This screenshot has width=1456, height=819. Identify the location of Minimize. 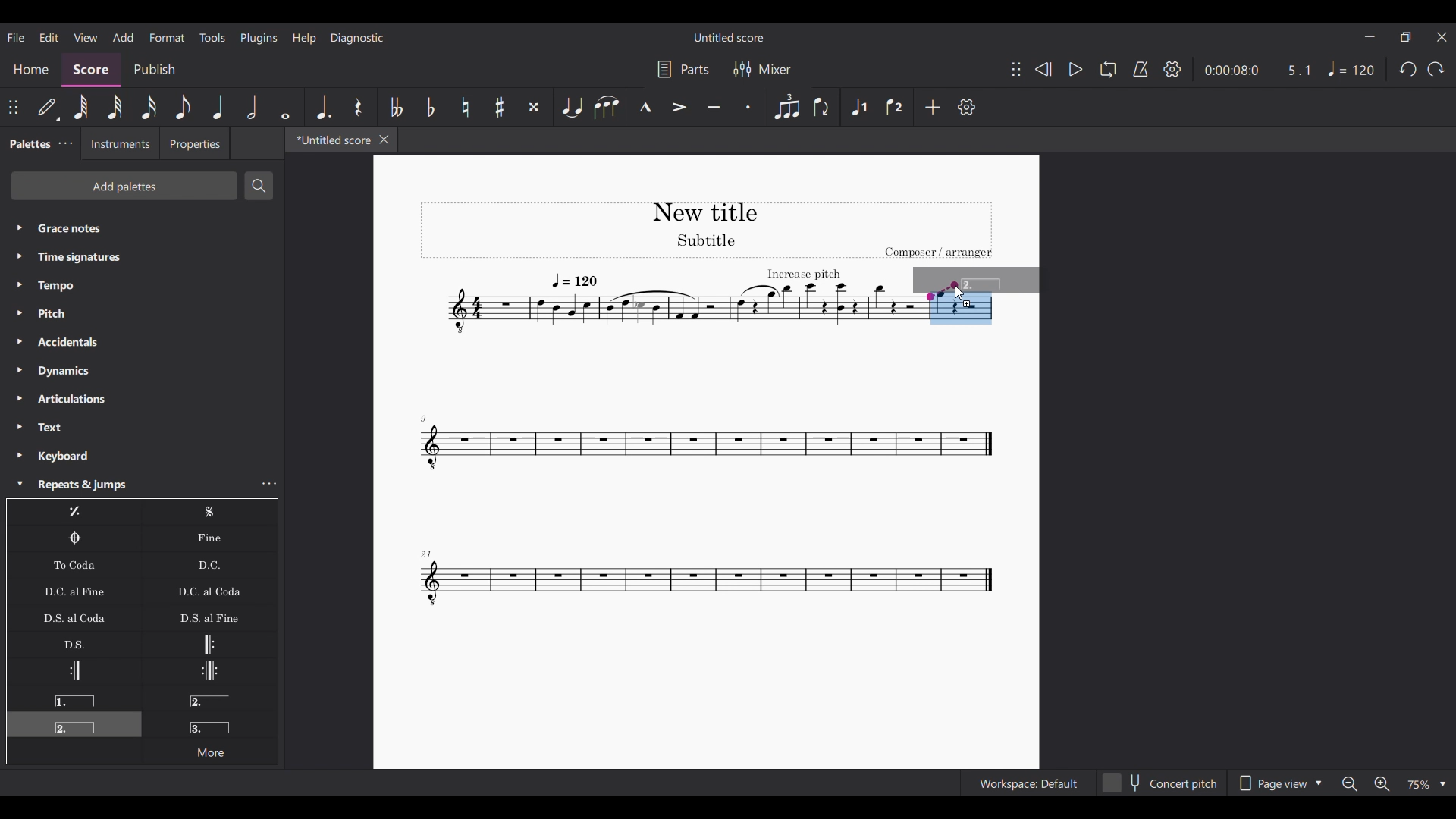
(1370, 36).